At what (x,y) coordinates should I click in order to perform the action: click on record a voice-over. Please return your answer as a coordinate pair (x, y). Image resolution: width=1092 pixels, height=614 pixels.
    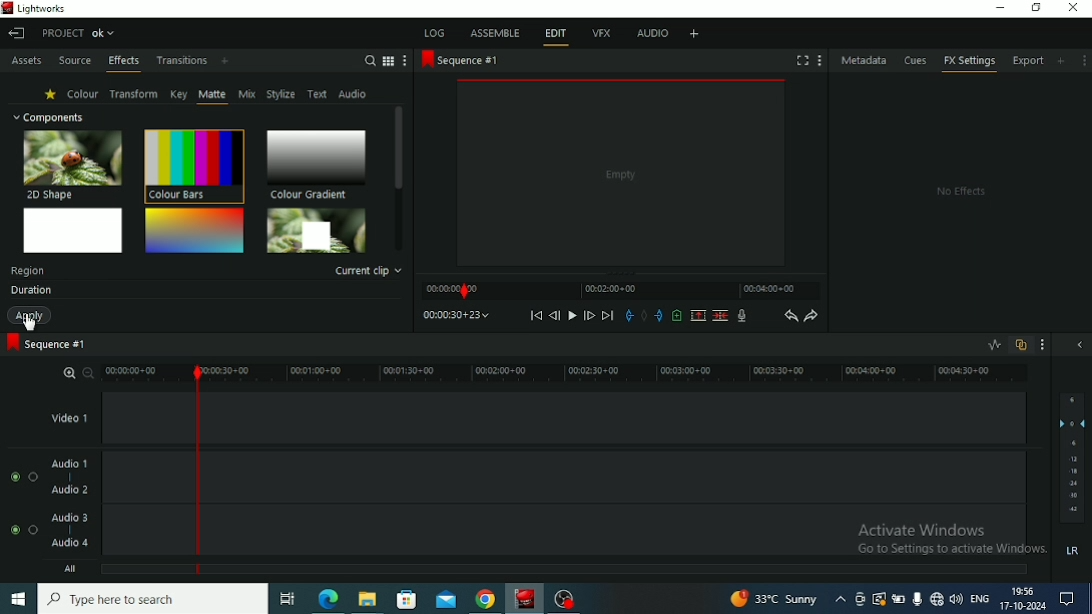
    Looking at the image, I should click on (742, 316).